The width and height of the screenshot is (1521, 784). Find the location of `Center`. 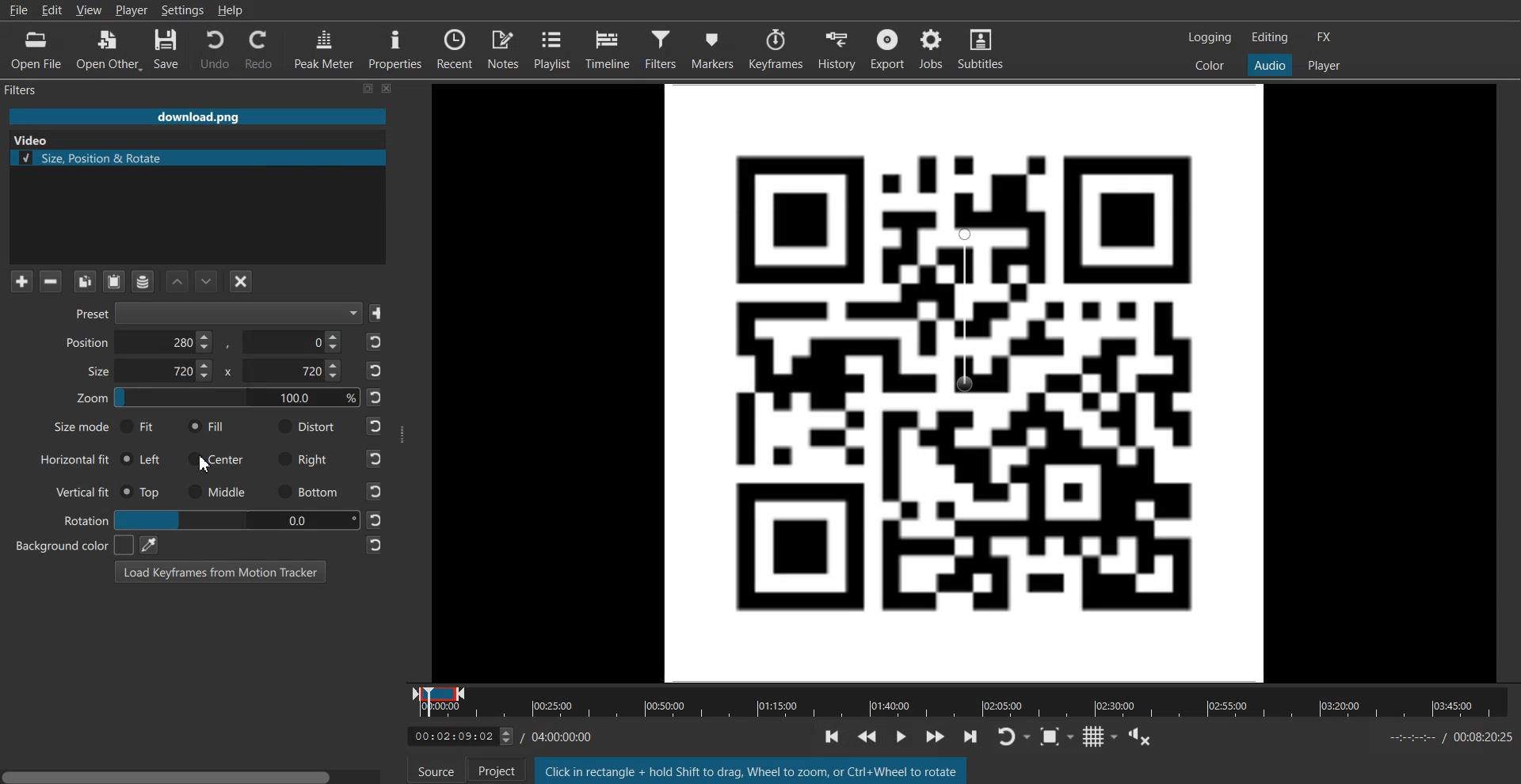

Center is located at coordinates (218, 459).